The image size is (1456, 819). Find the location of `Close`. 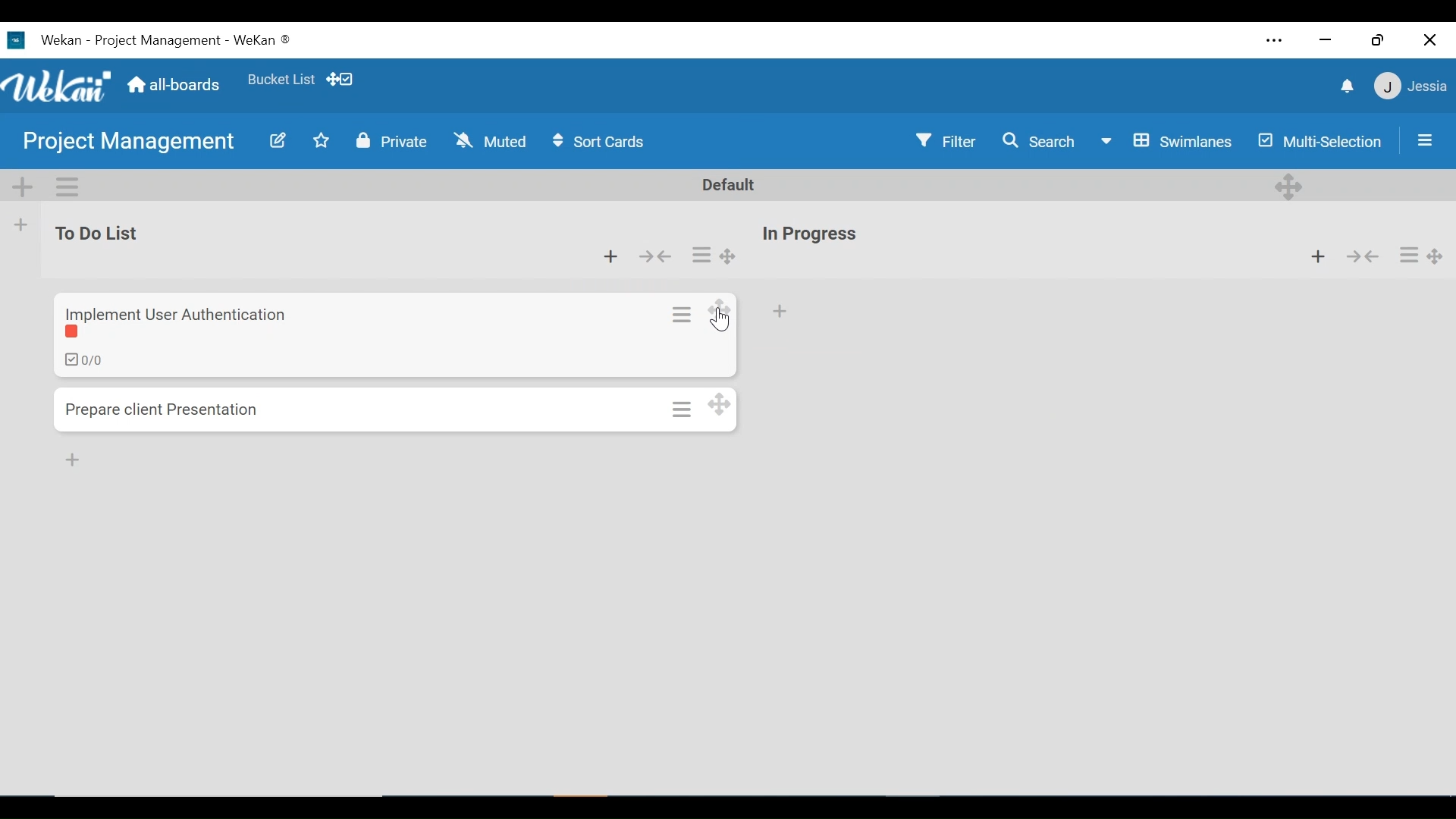

Close is located at coordinates (1431, 39).